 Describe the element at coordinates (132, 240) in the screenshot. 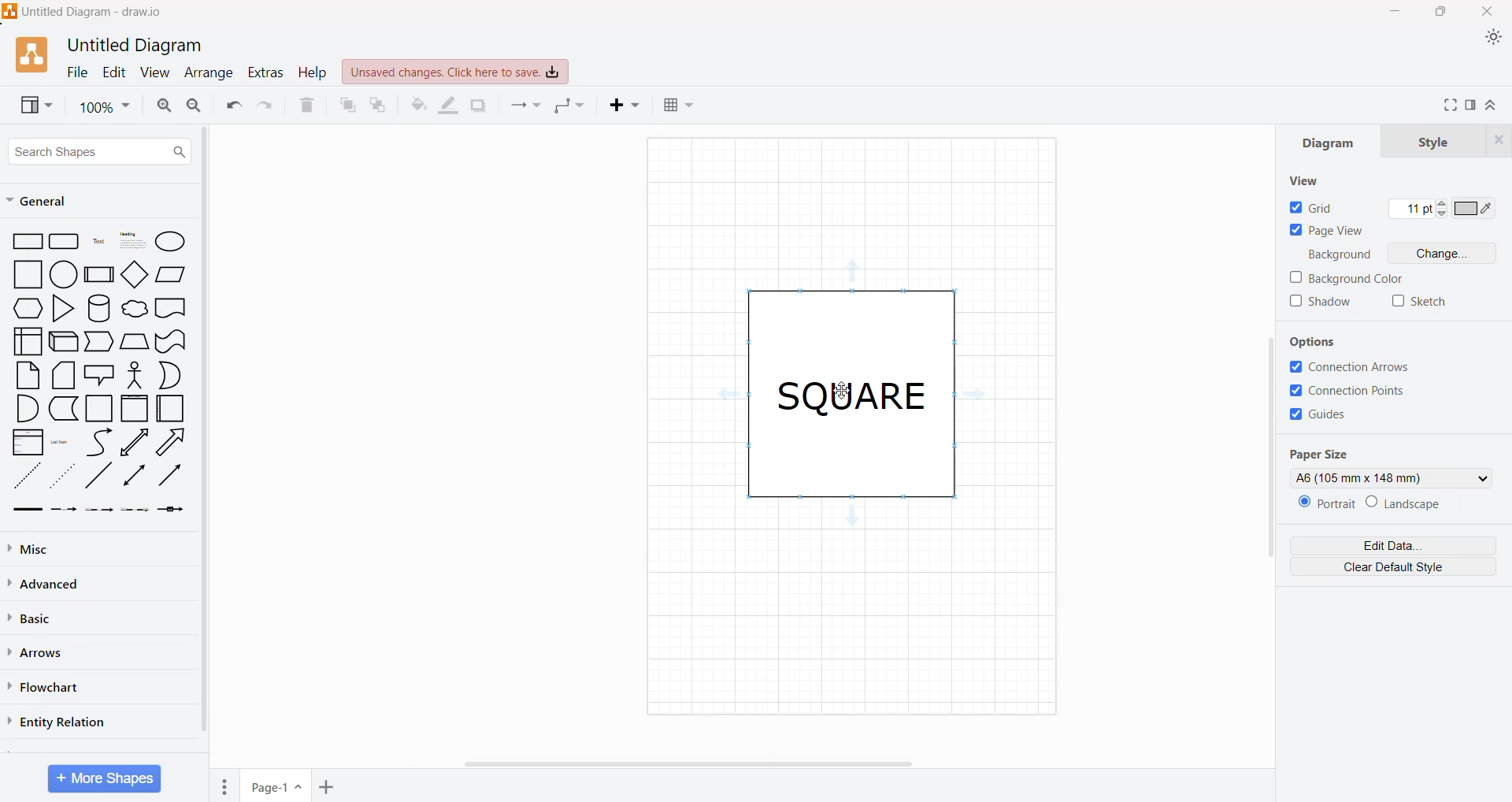

I see `Heading` at that location.